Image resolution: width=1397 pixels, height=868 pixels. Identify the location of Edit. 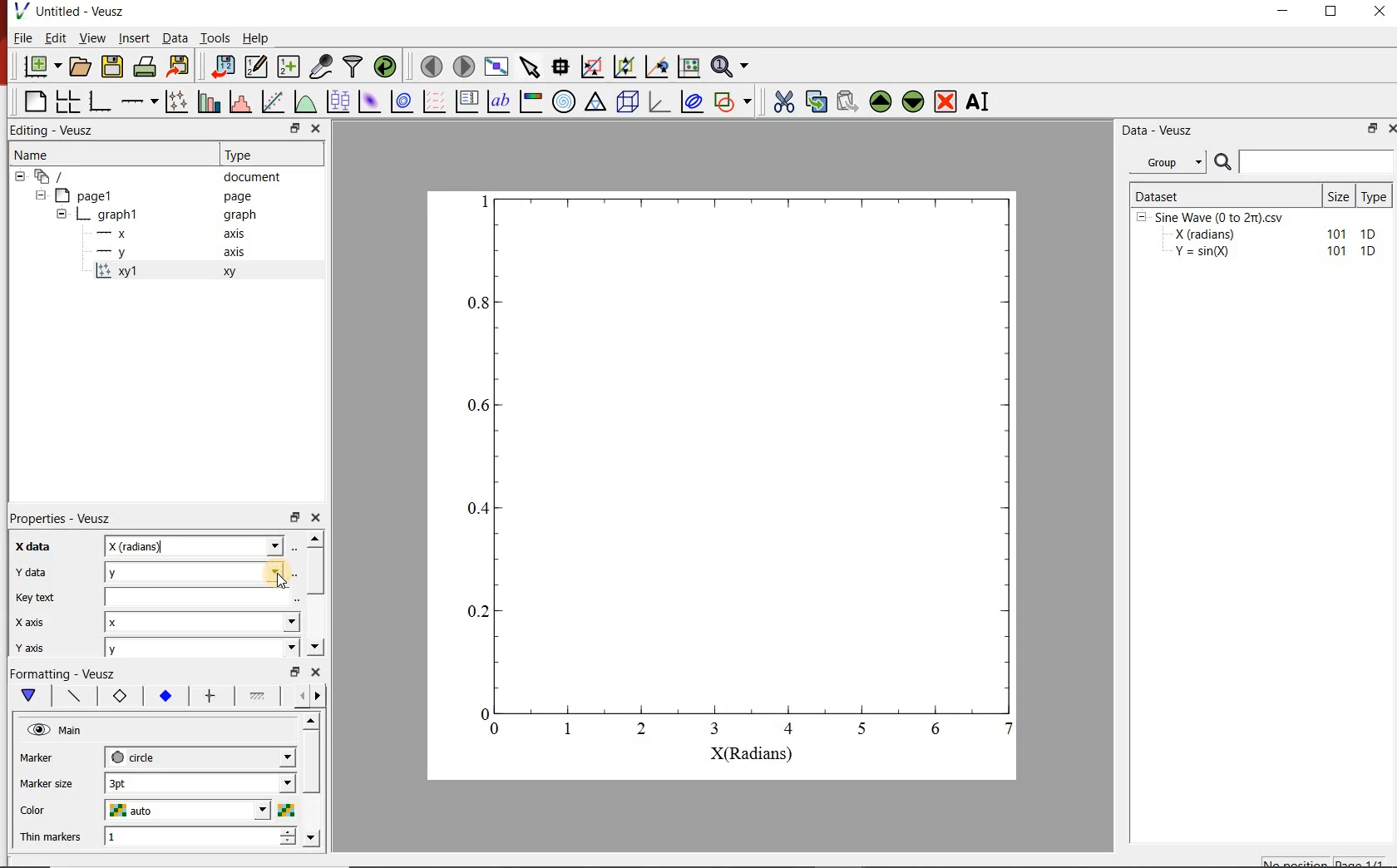
(56, 38).